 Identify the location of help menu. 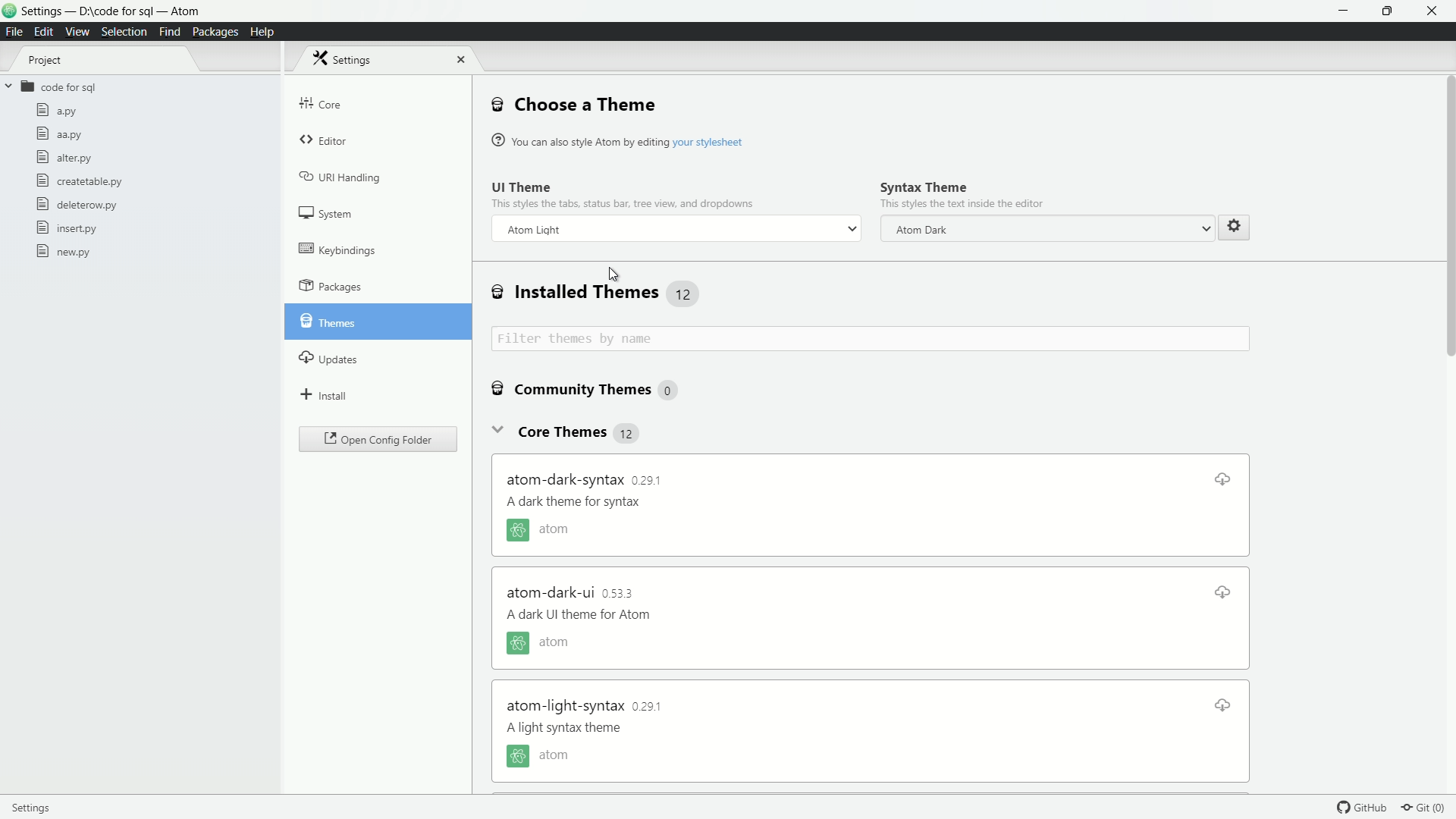
(265, 32).